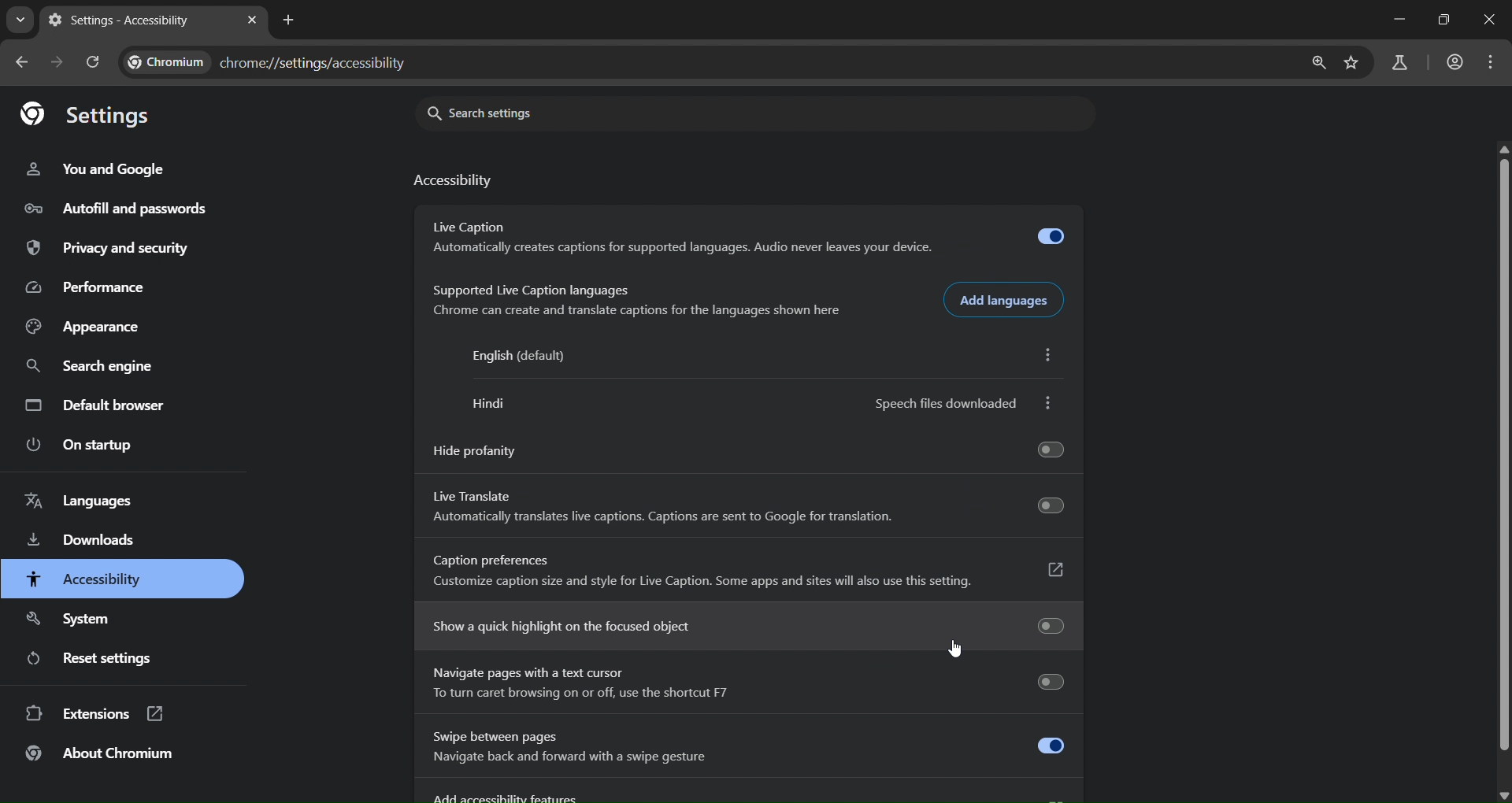  Describe the element at coordinates (948, 402) in the screenshot. I see `Speech files downloaded` at that location.